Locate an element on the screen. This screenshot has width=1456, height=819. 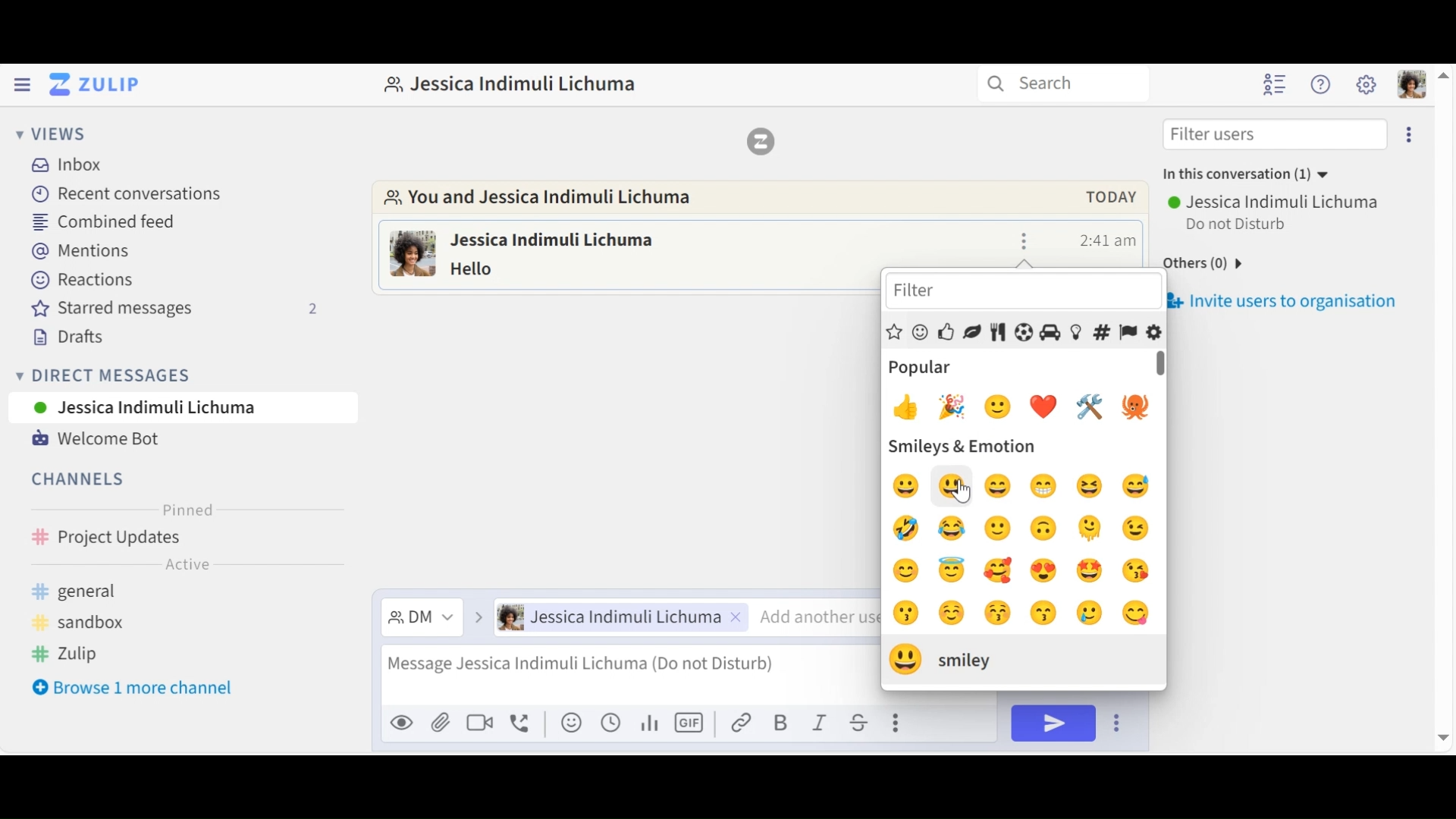
Add GIF is located at coordinates (689, 721).